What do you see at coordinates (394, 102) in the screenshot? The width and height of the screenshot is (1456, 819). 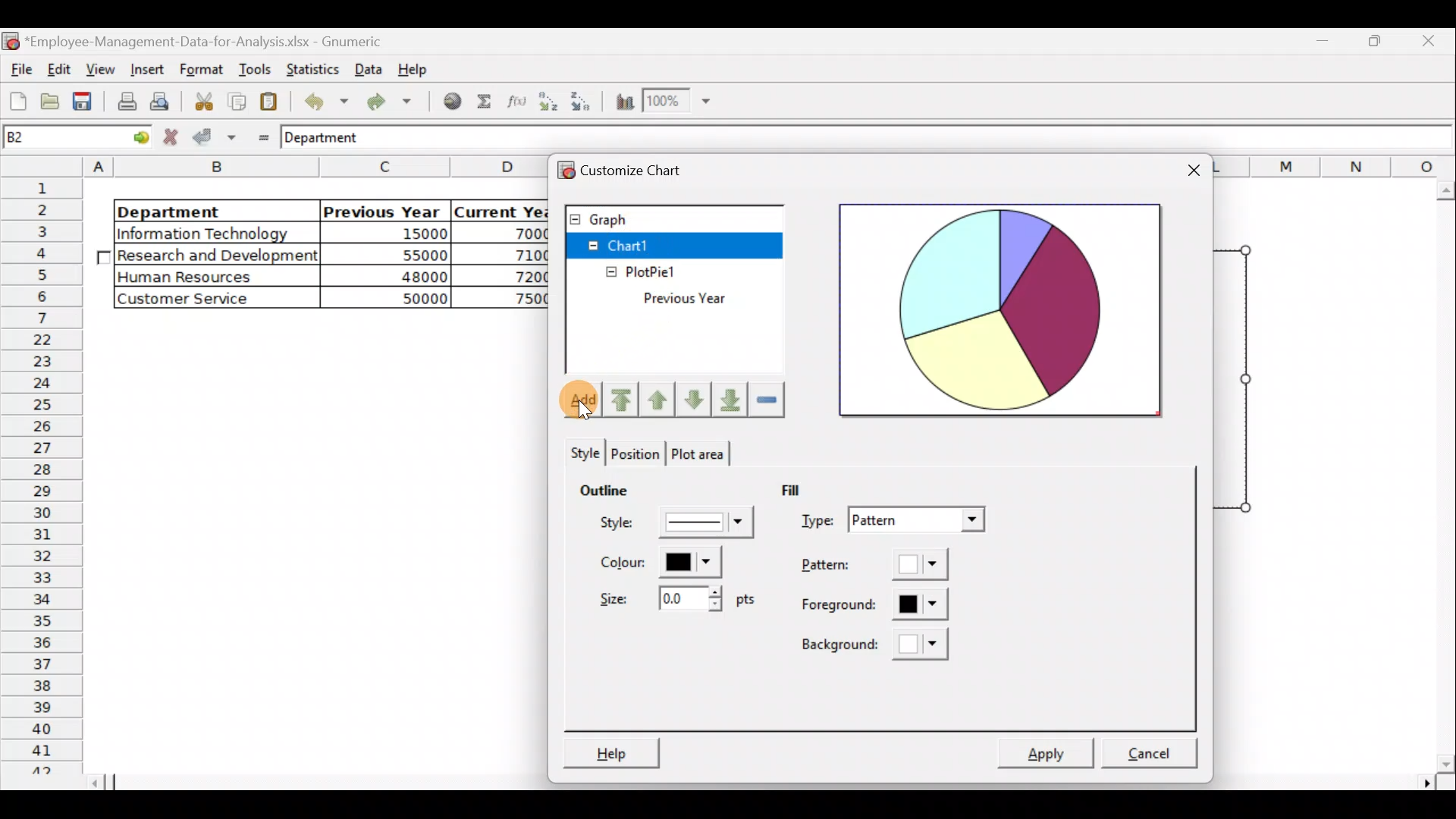 I see `Redo undone action` at bounding box center [394, 102].